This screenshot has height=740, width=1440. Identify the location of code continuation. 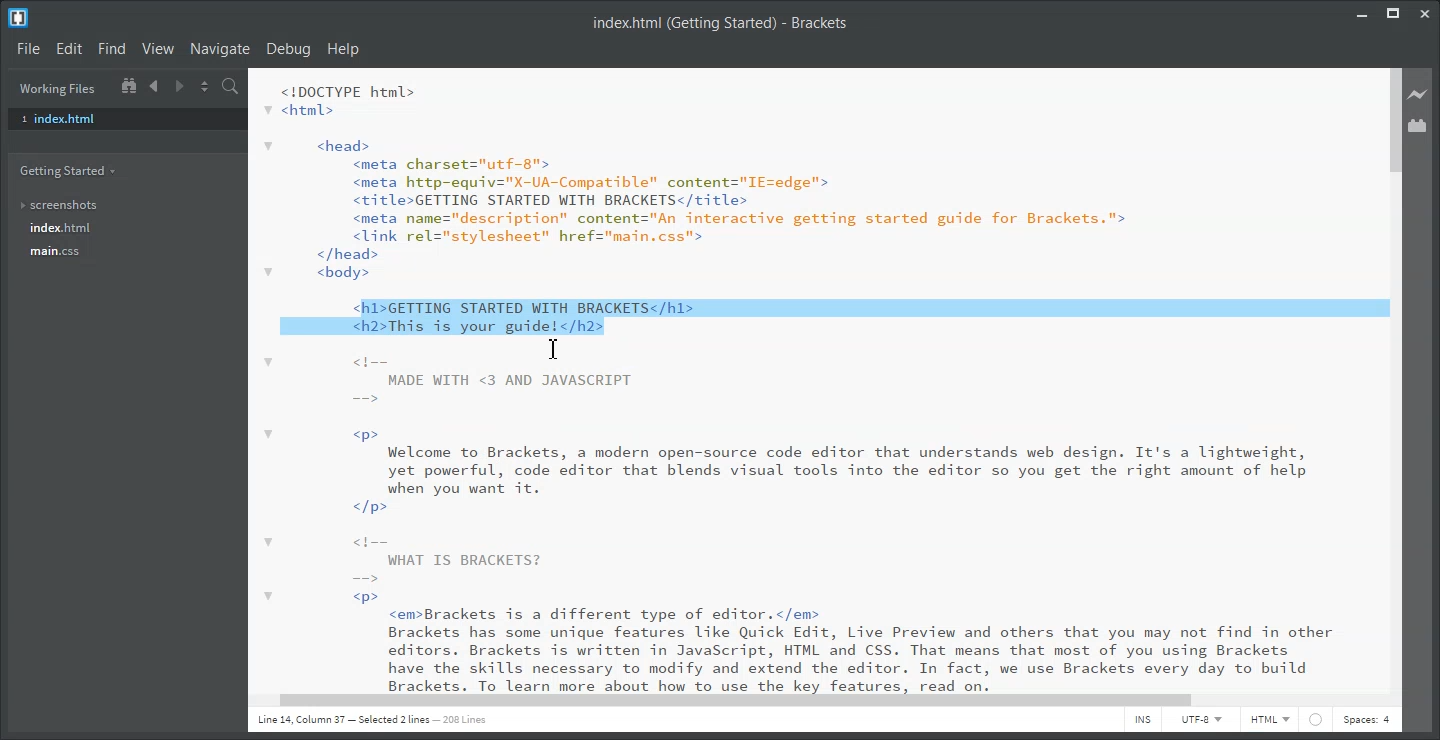
(803, 525).